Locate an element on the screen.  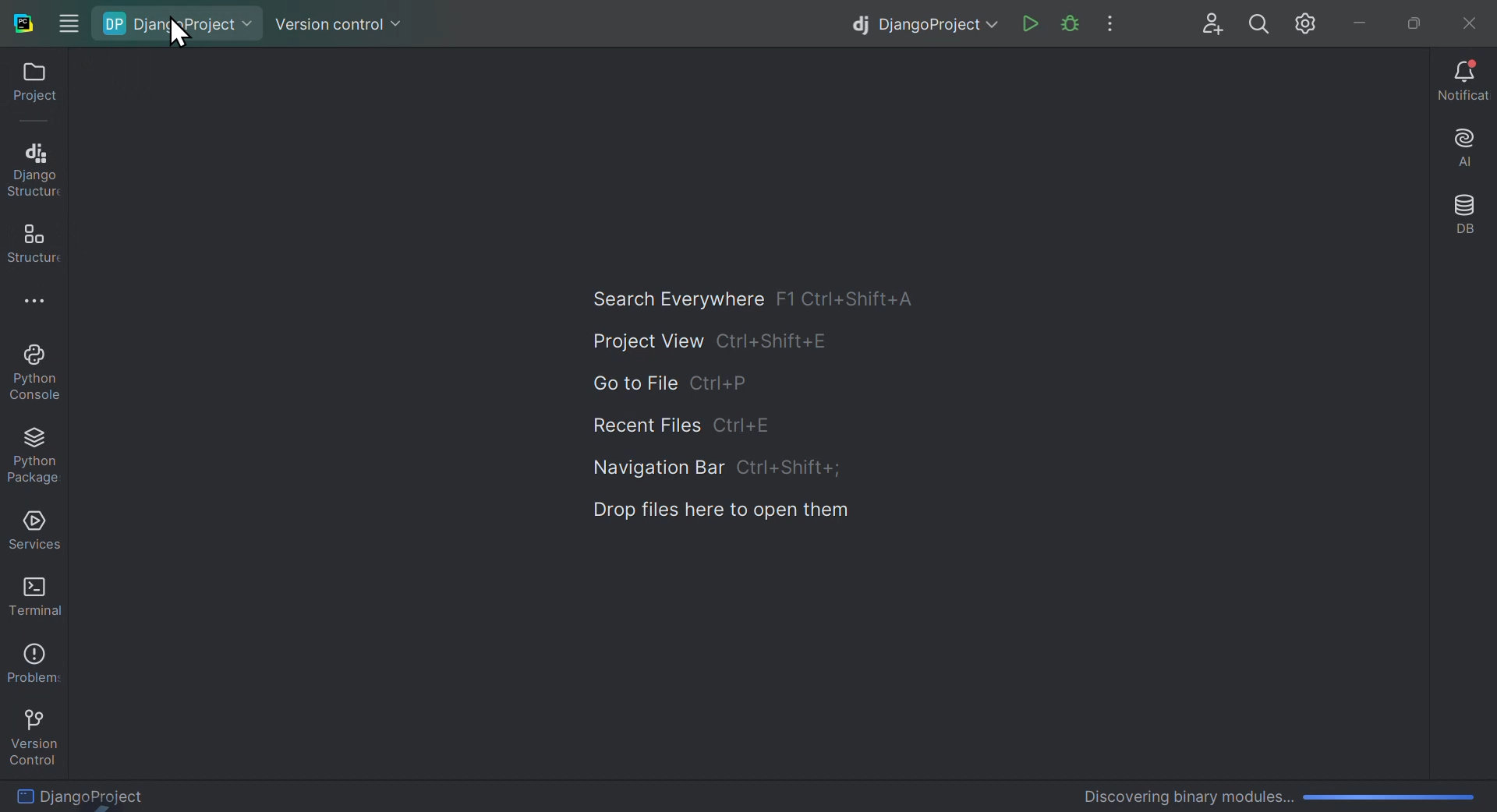
structure is located at coordinates (30, 243).